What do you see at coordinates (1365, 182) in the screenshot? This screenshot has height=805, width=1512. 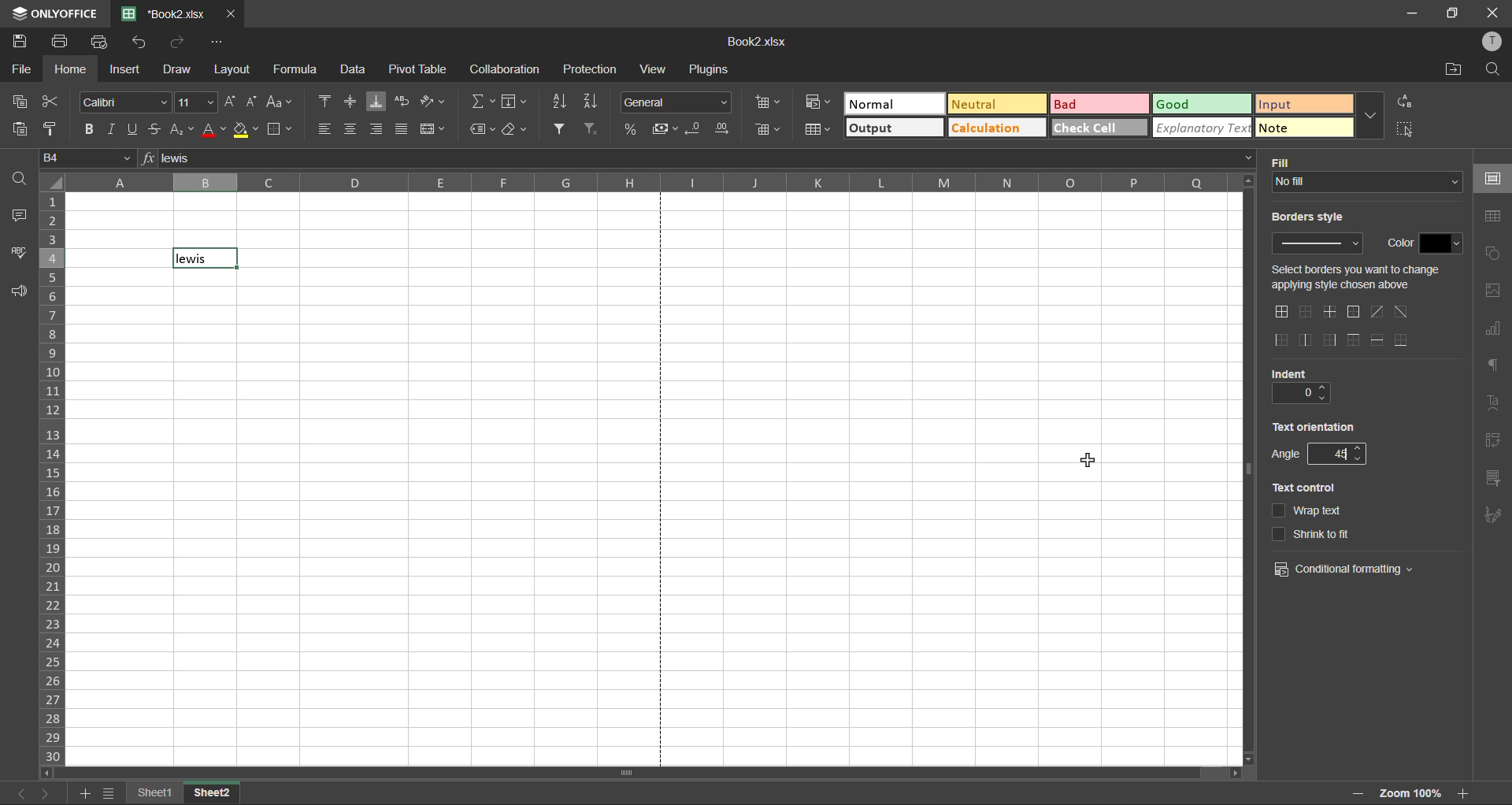 I see `input fill` at bounding box center [1365, 182].